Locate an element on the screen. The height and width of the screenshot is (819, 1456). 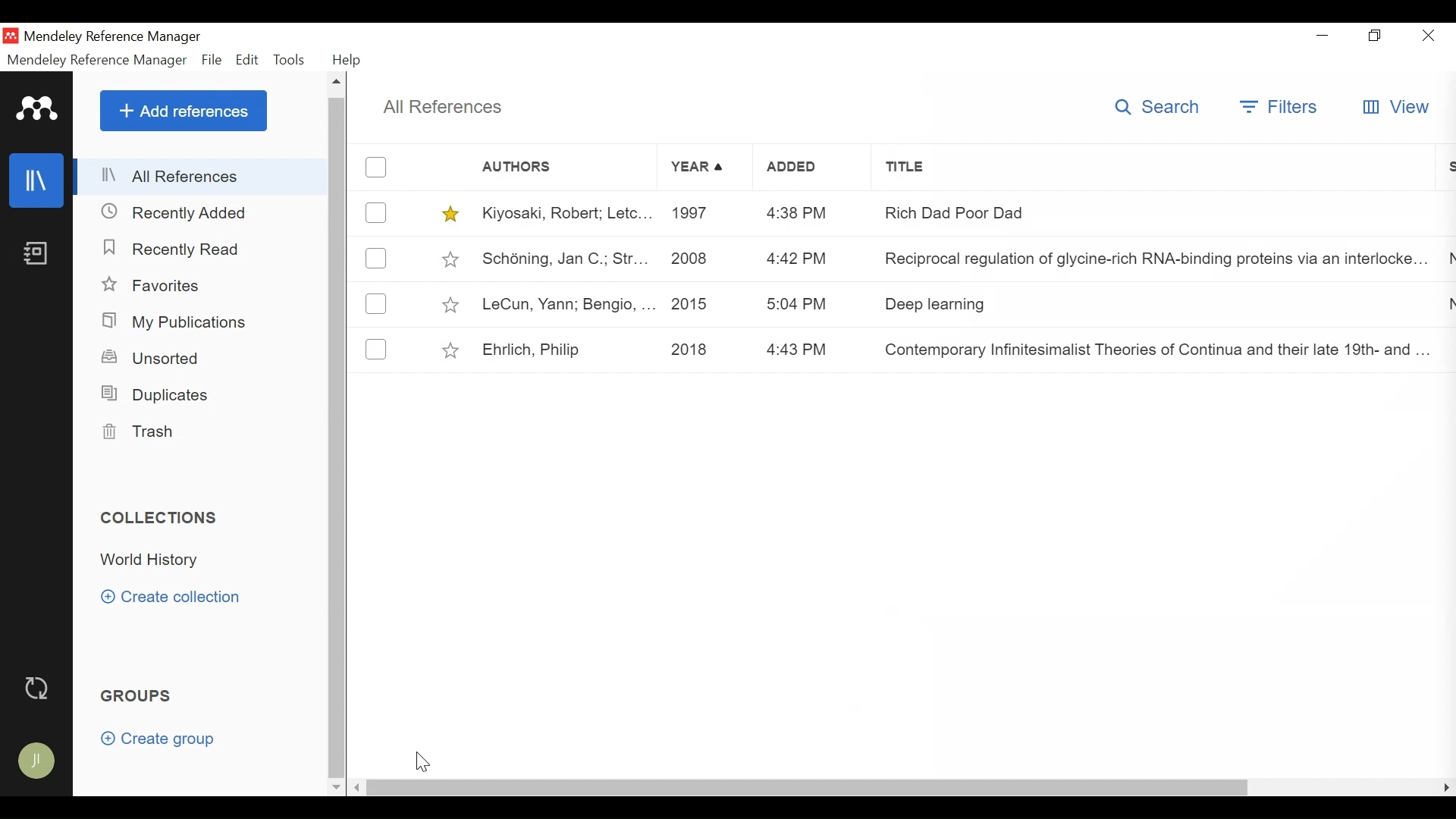
Scroll up is located at coordinates (336, 83).